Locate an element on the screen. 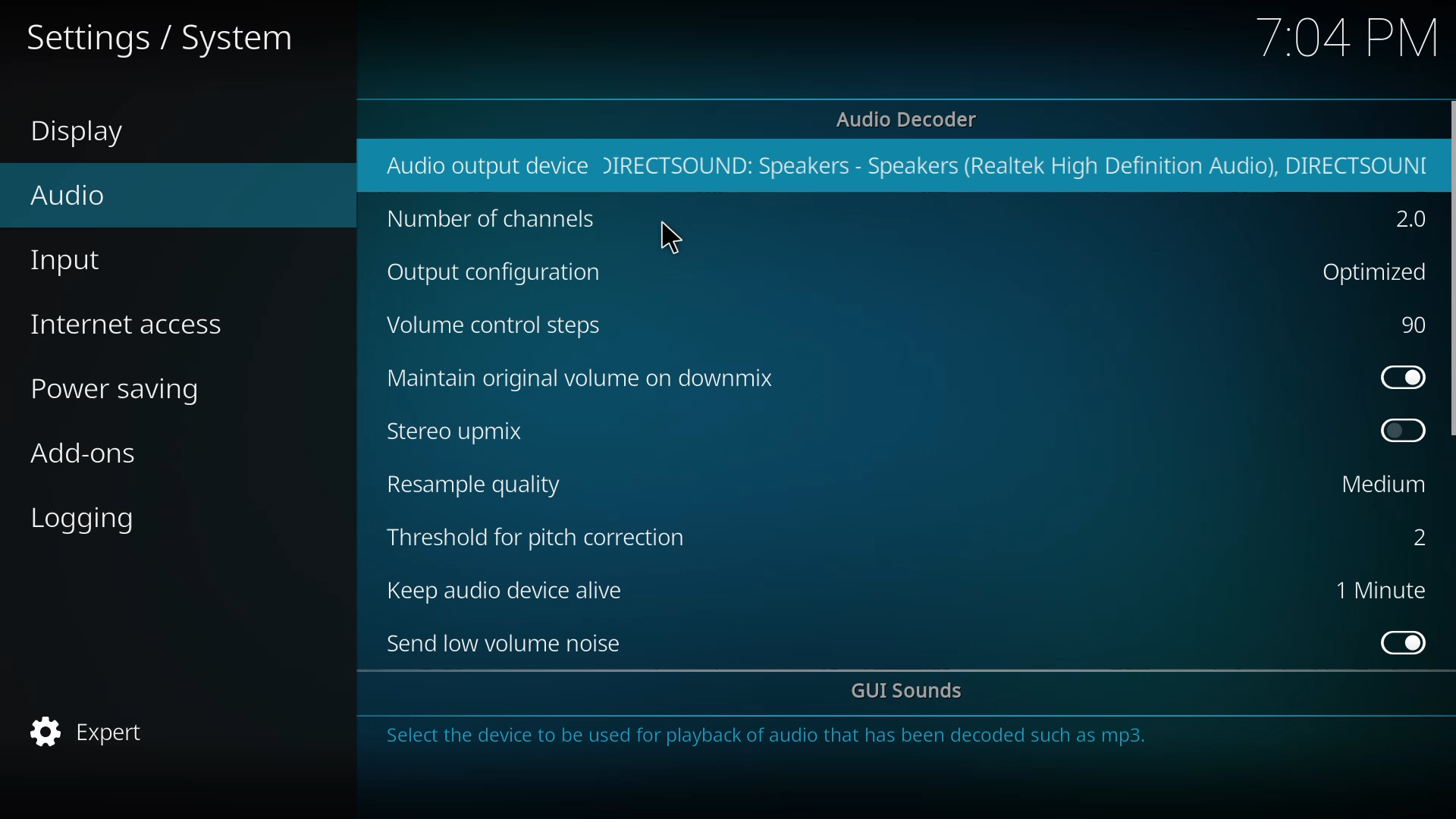  output configured is located at coordinates (1021, 165).